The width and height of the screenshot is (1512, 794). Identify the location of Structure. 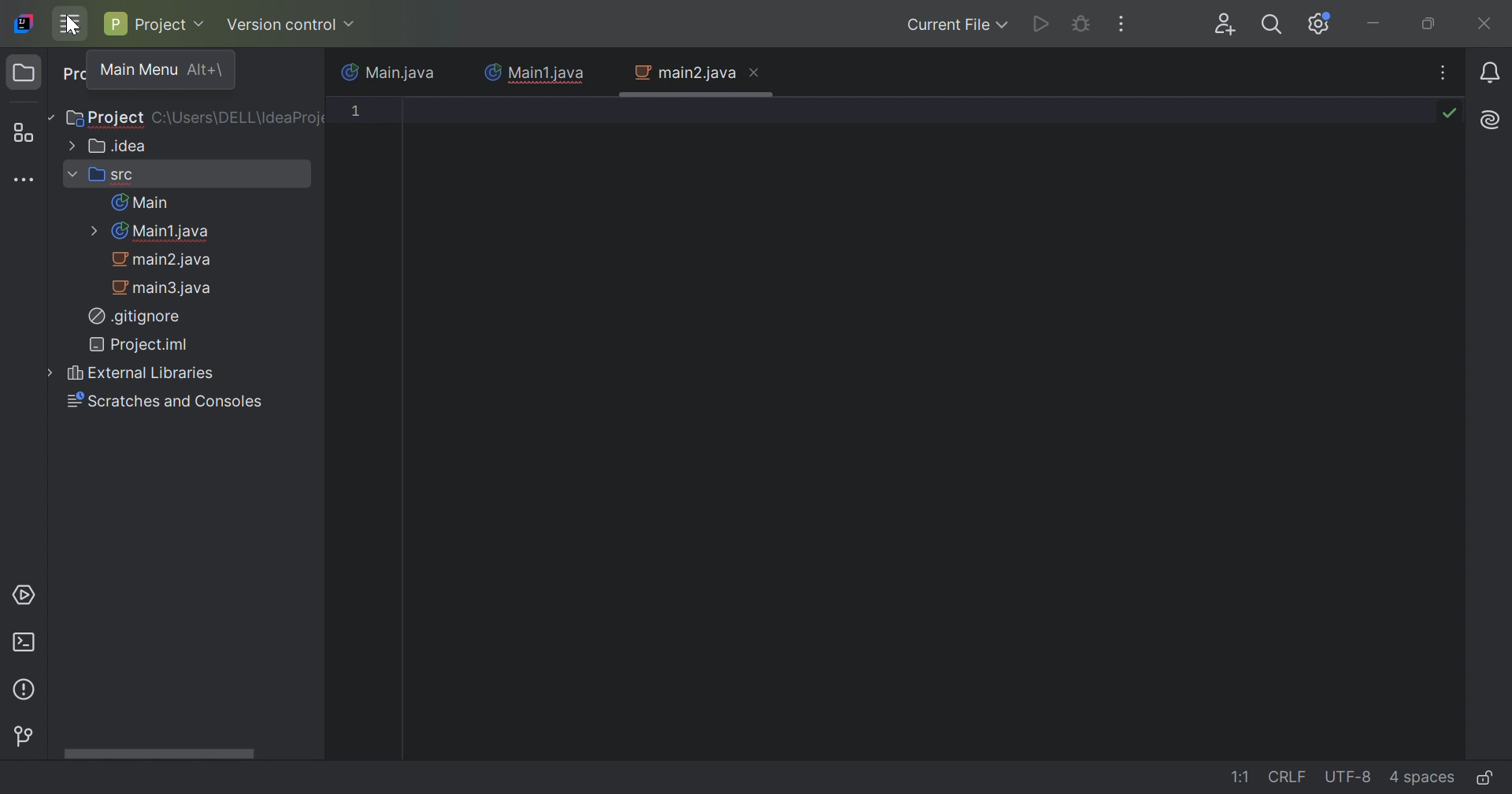
(28, 132).